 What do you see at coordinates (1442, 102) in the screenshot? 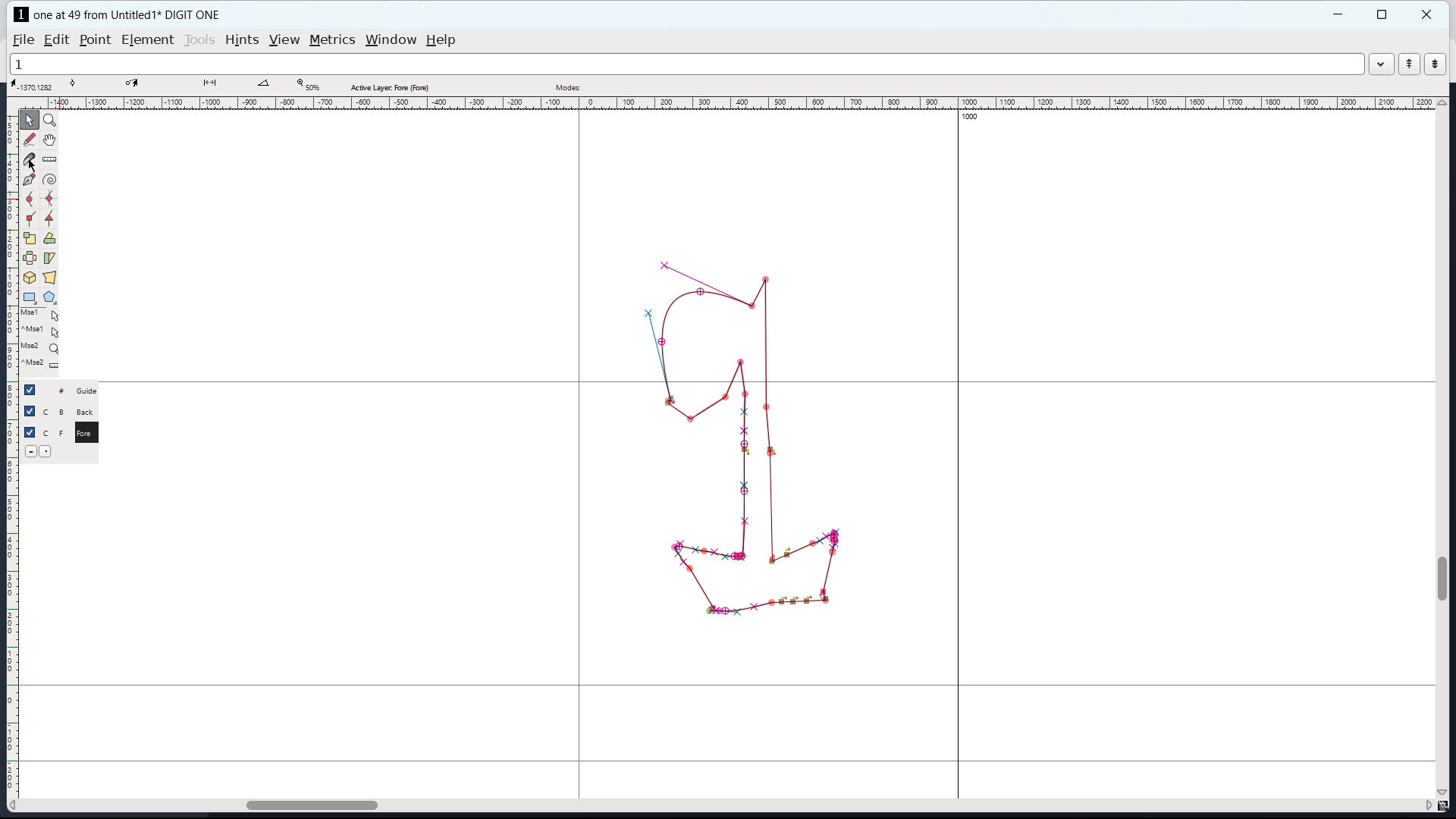
I see `scroll up` at bounding box center [1442, 102].